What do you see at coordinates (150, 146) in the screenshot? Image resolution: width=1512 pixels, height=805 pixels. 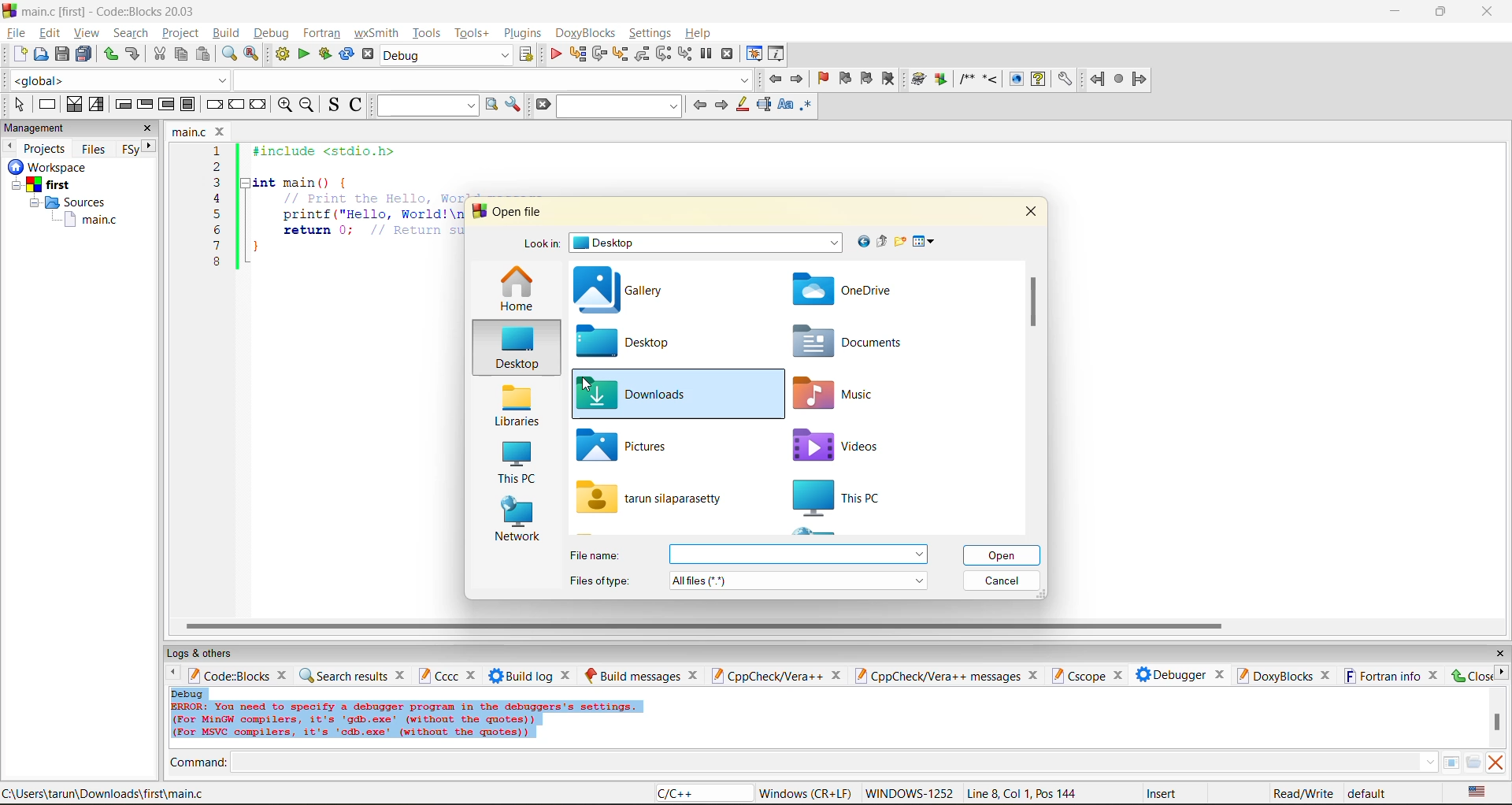 I see `next` at bounding box center [150, 146].